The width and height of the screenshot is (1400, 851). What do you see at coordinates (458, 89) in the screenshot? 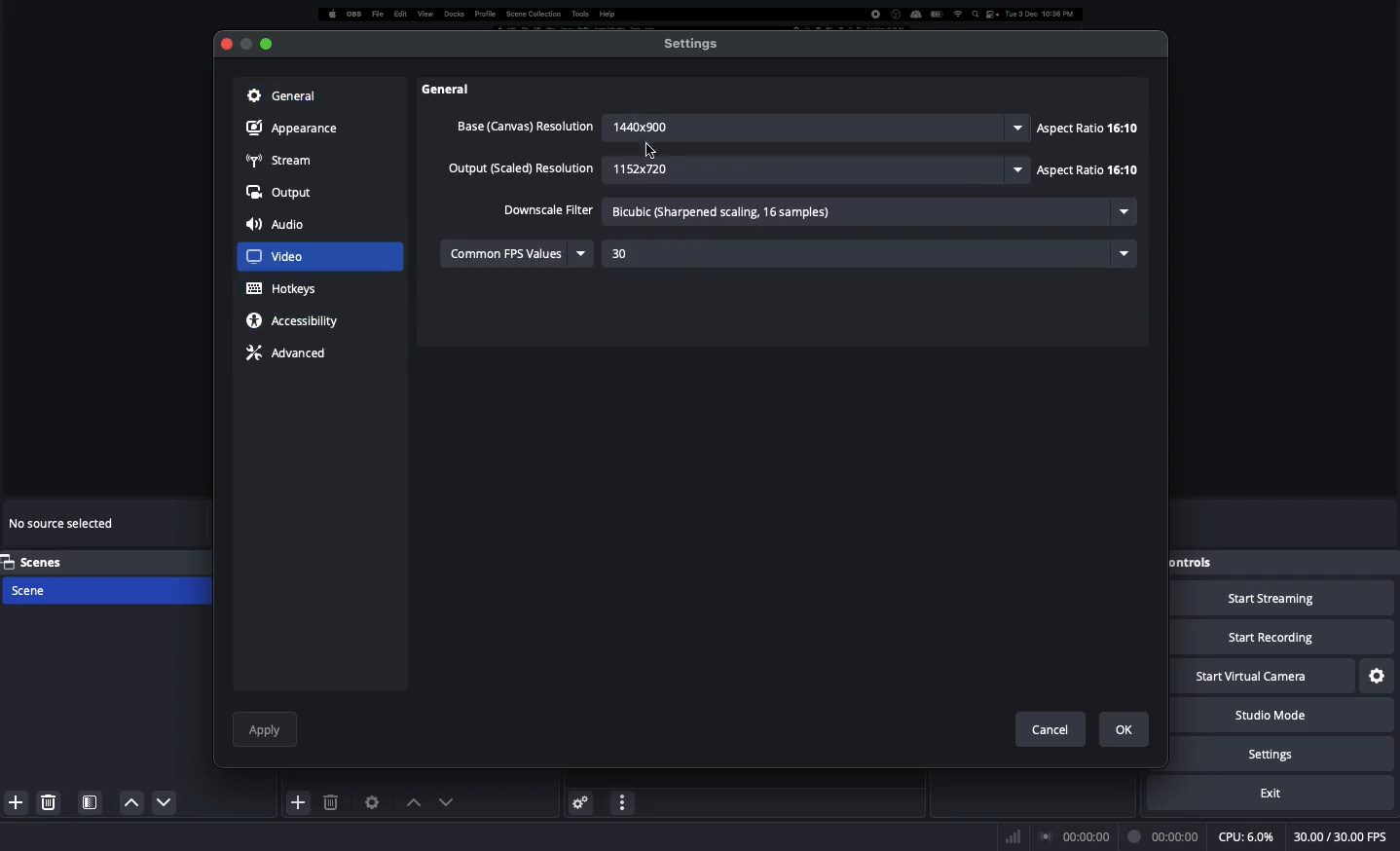
I see `` at bounding box center [458, 89].